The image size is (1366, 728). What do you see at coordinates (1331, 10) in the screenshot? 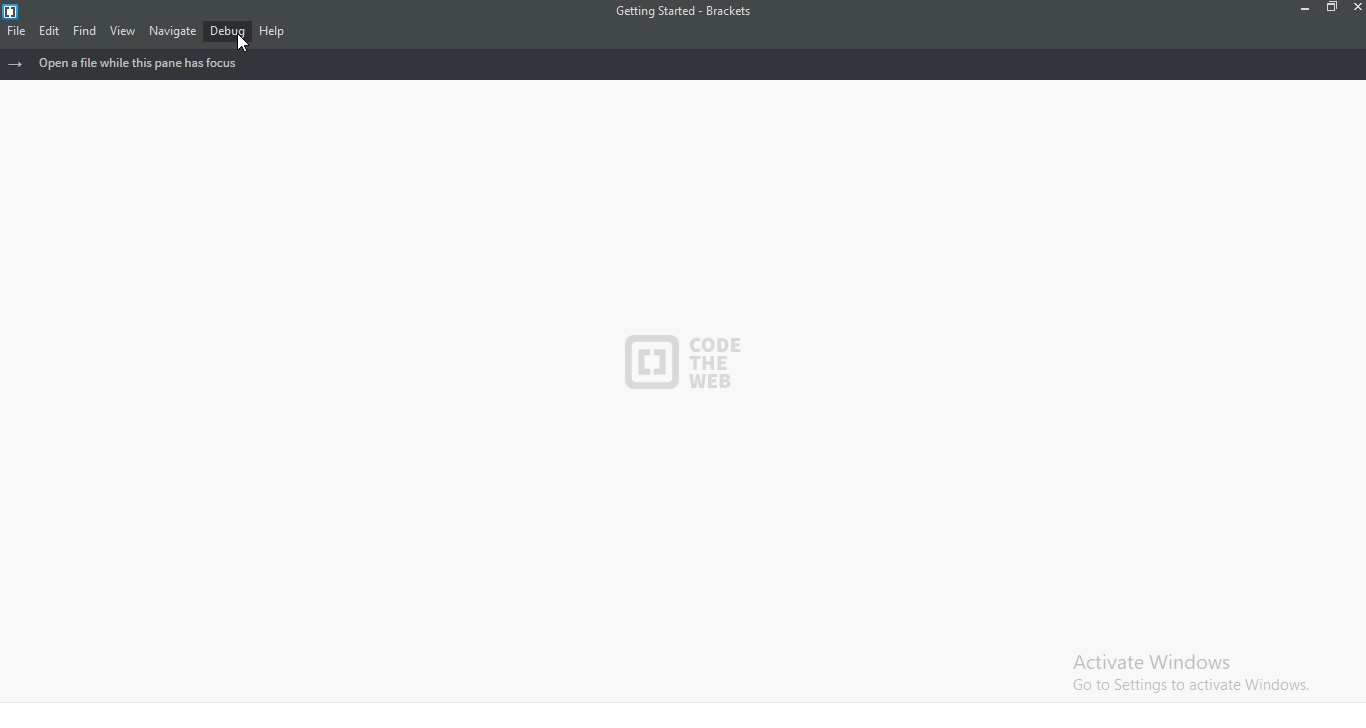
I see `restore` at bounding box center [1331, 10].